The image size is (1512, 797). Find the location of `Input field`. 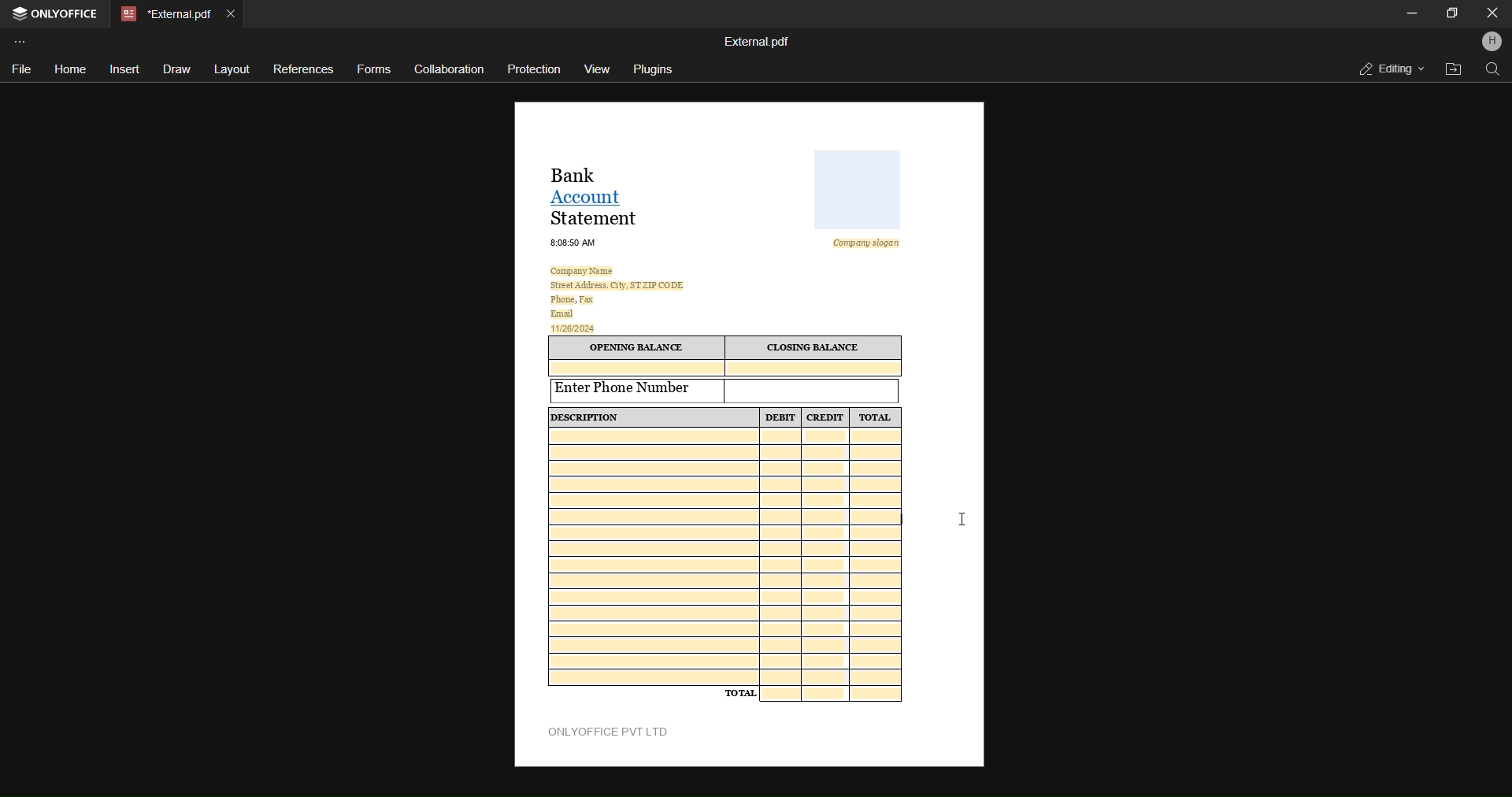

Input field is located at coordinates (813, 390).